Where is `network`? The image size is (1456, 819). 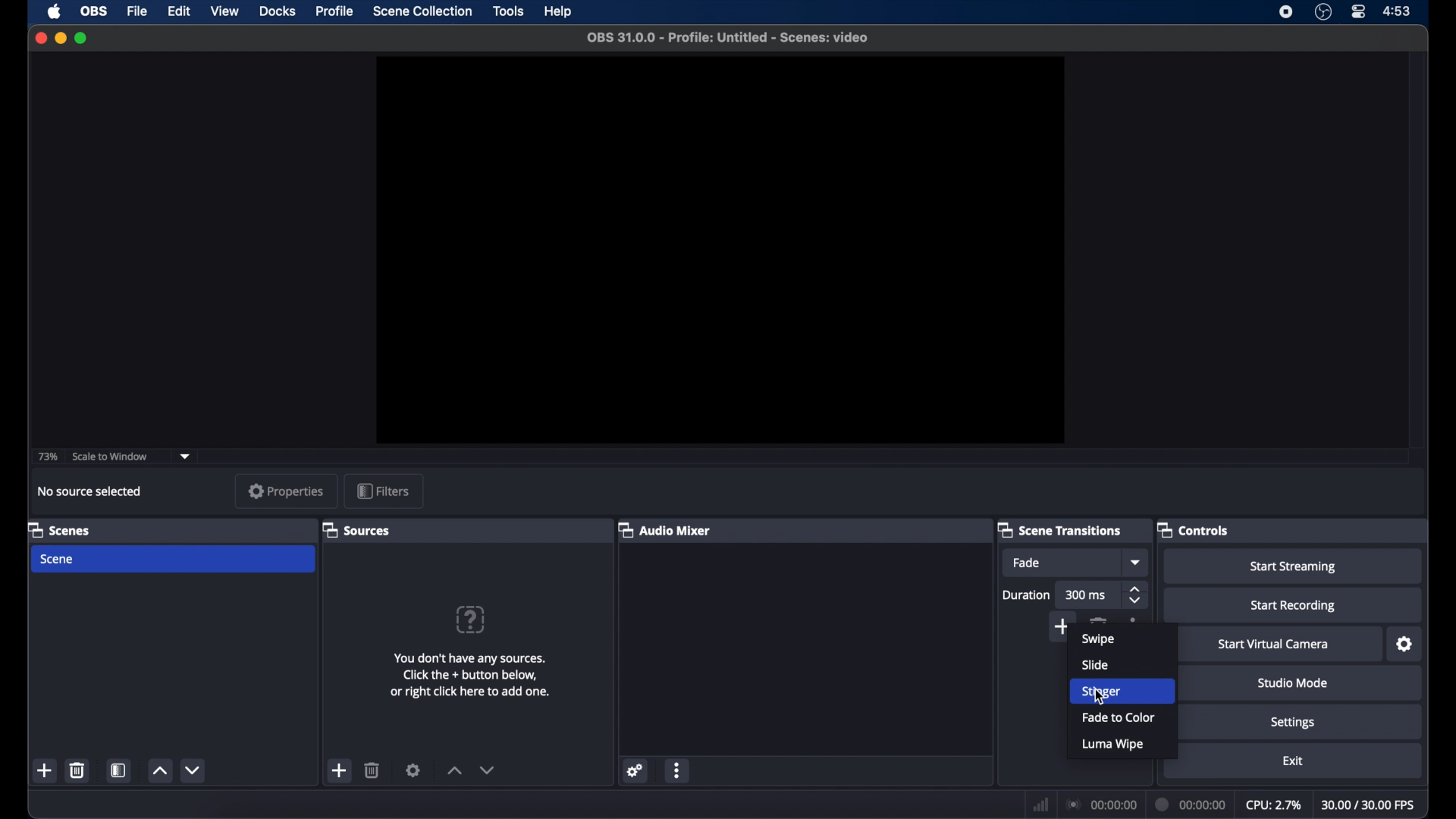
network is located at coordinates (1039, 803).